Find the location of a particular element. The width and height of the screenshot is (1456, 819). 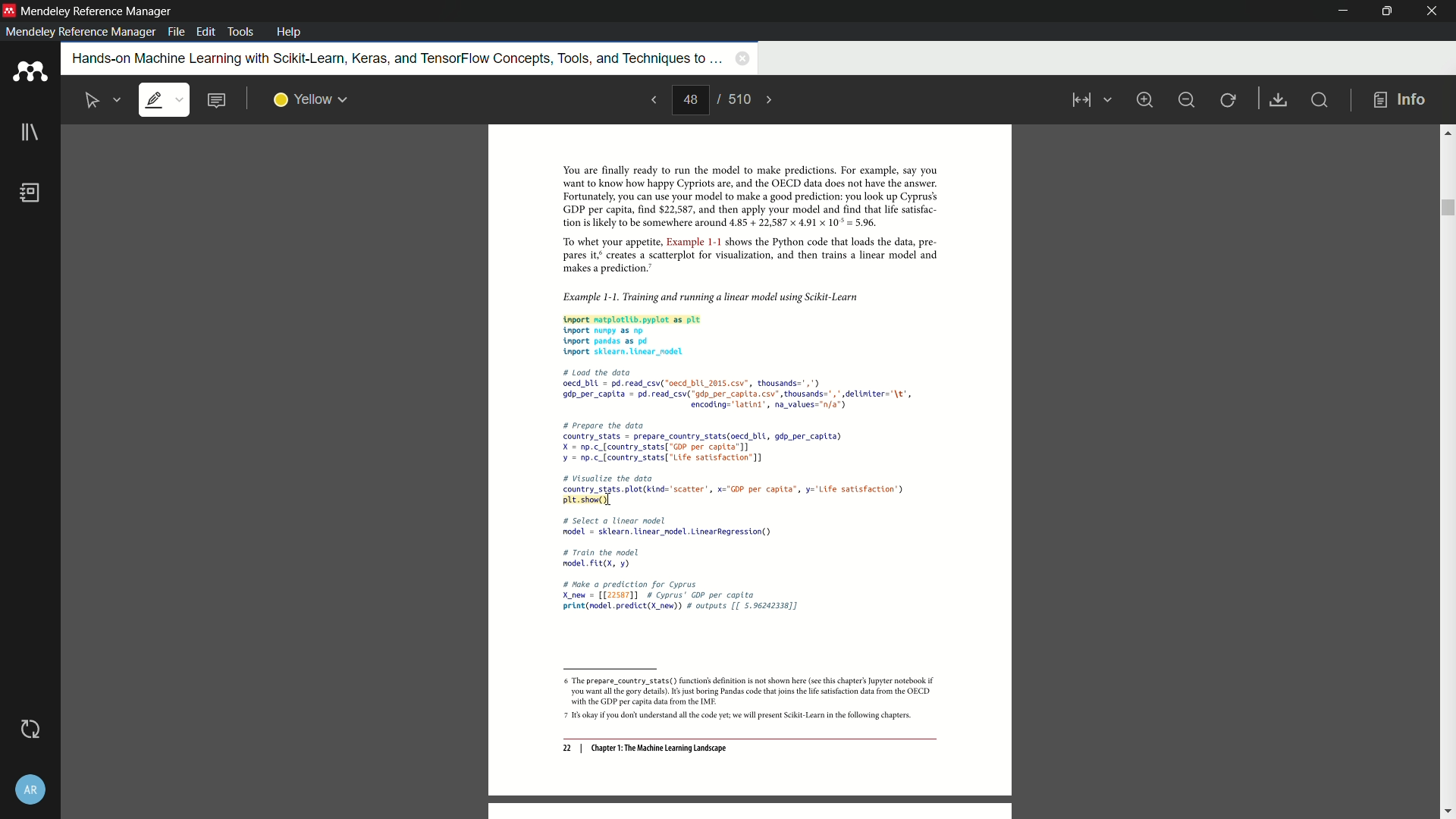

close is located at coordinates (1433, 11).